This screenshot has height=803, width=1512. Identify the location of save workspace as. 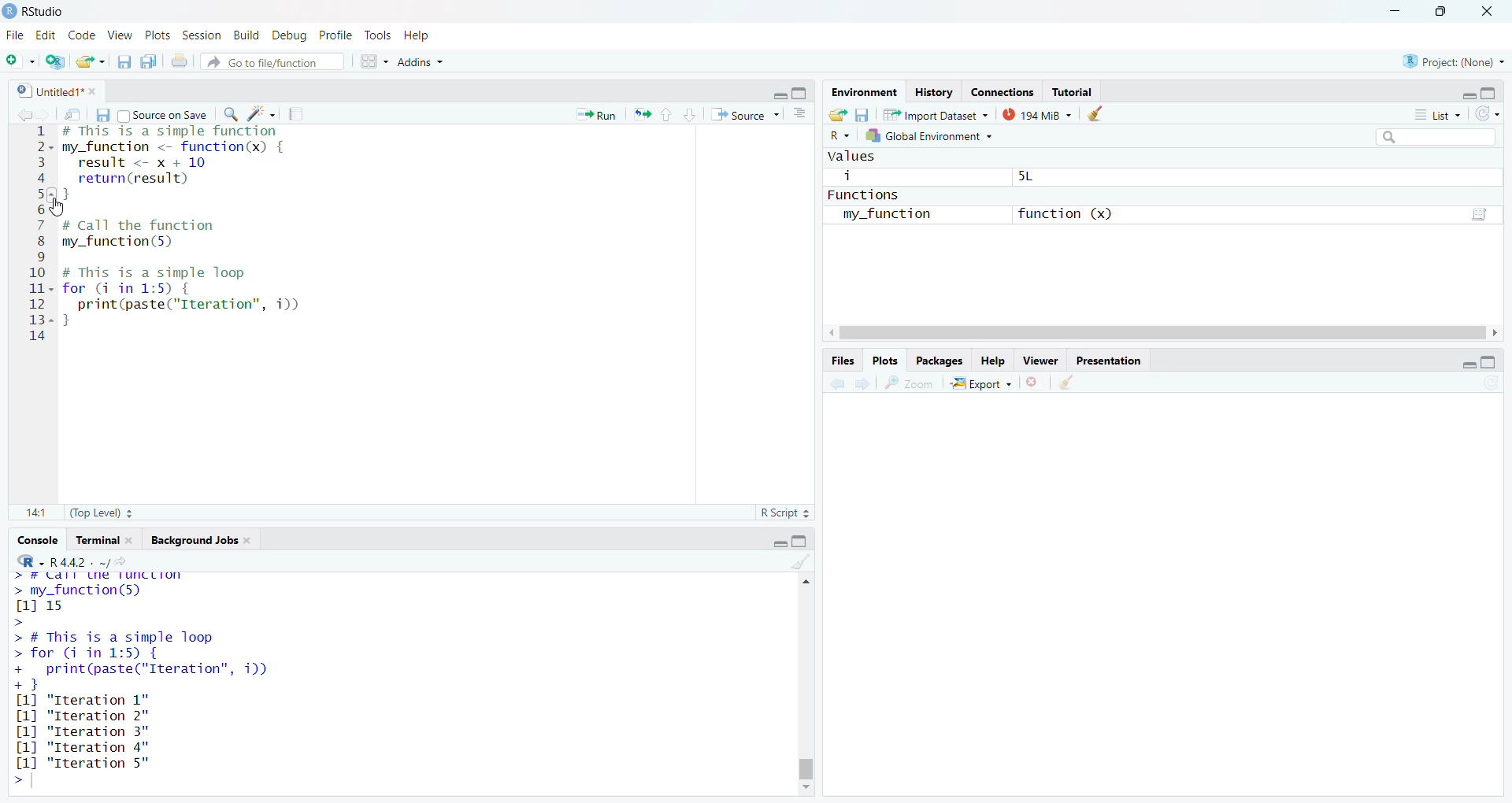
(863, 116).